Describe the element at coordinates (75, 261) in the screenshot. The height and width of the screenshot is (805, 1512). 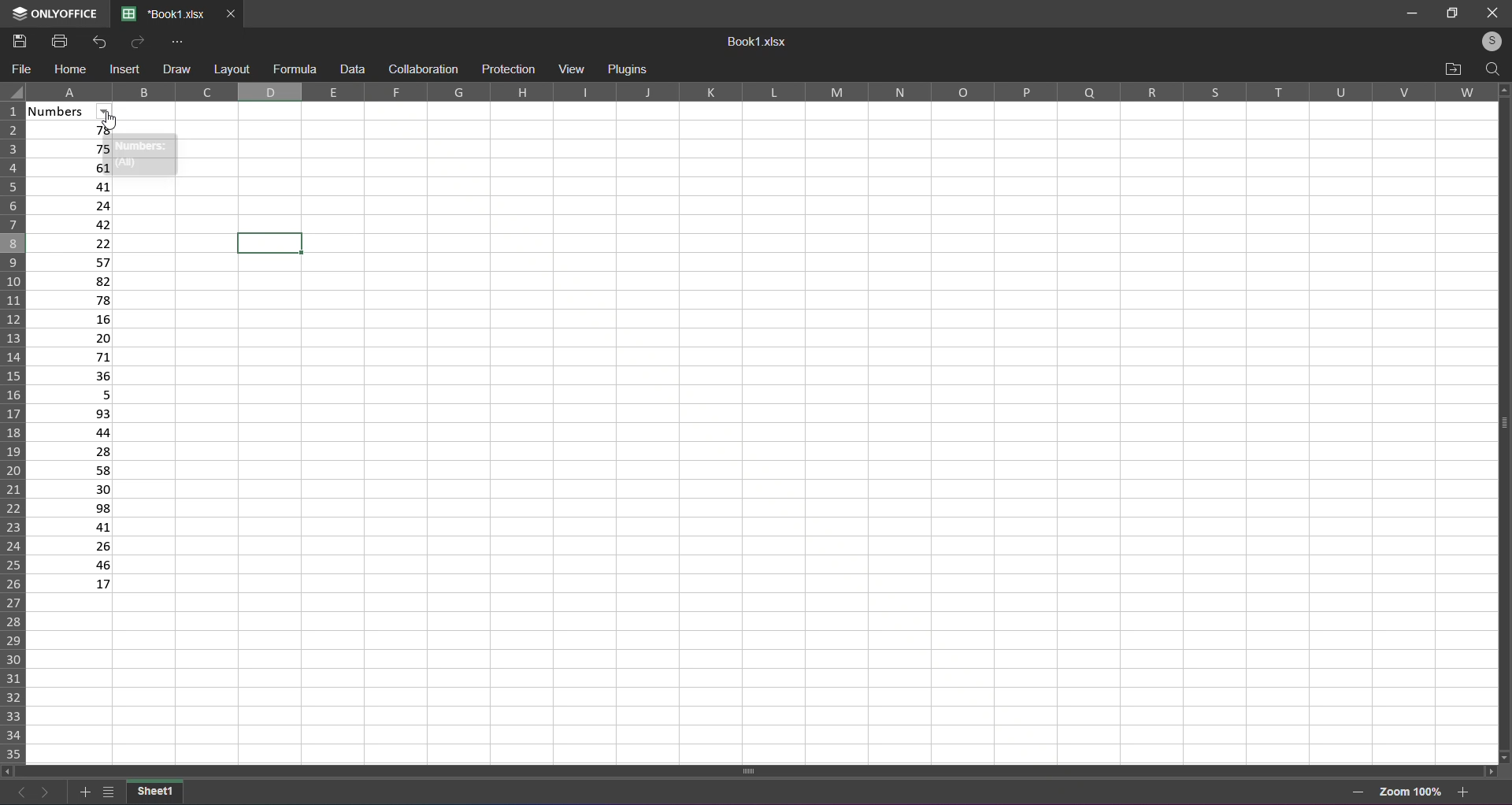
I see `57` at that location.